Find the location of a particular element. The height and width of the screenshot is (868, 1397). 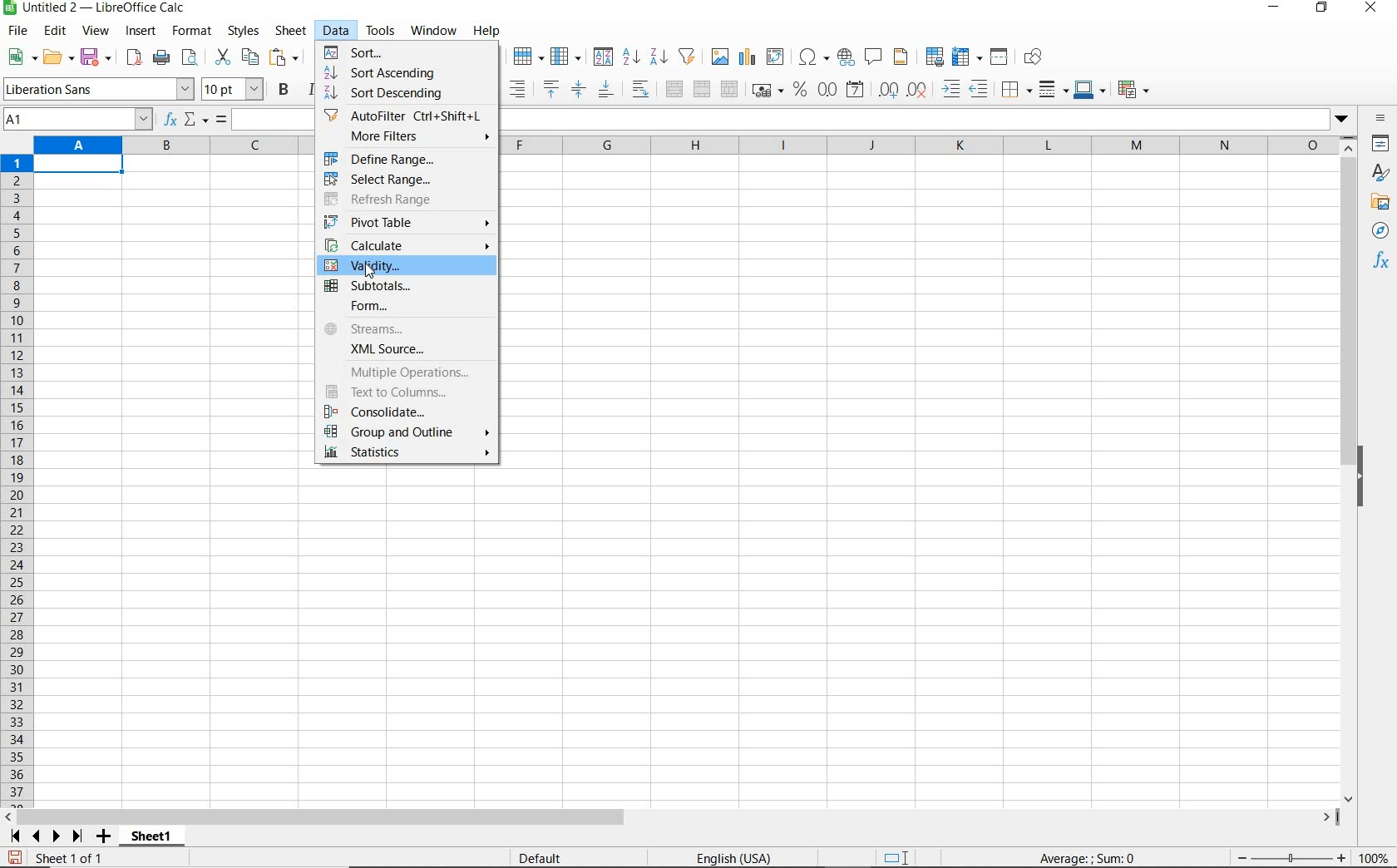

cursor is located at coordinates (371, 271).